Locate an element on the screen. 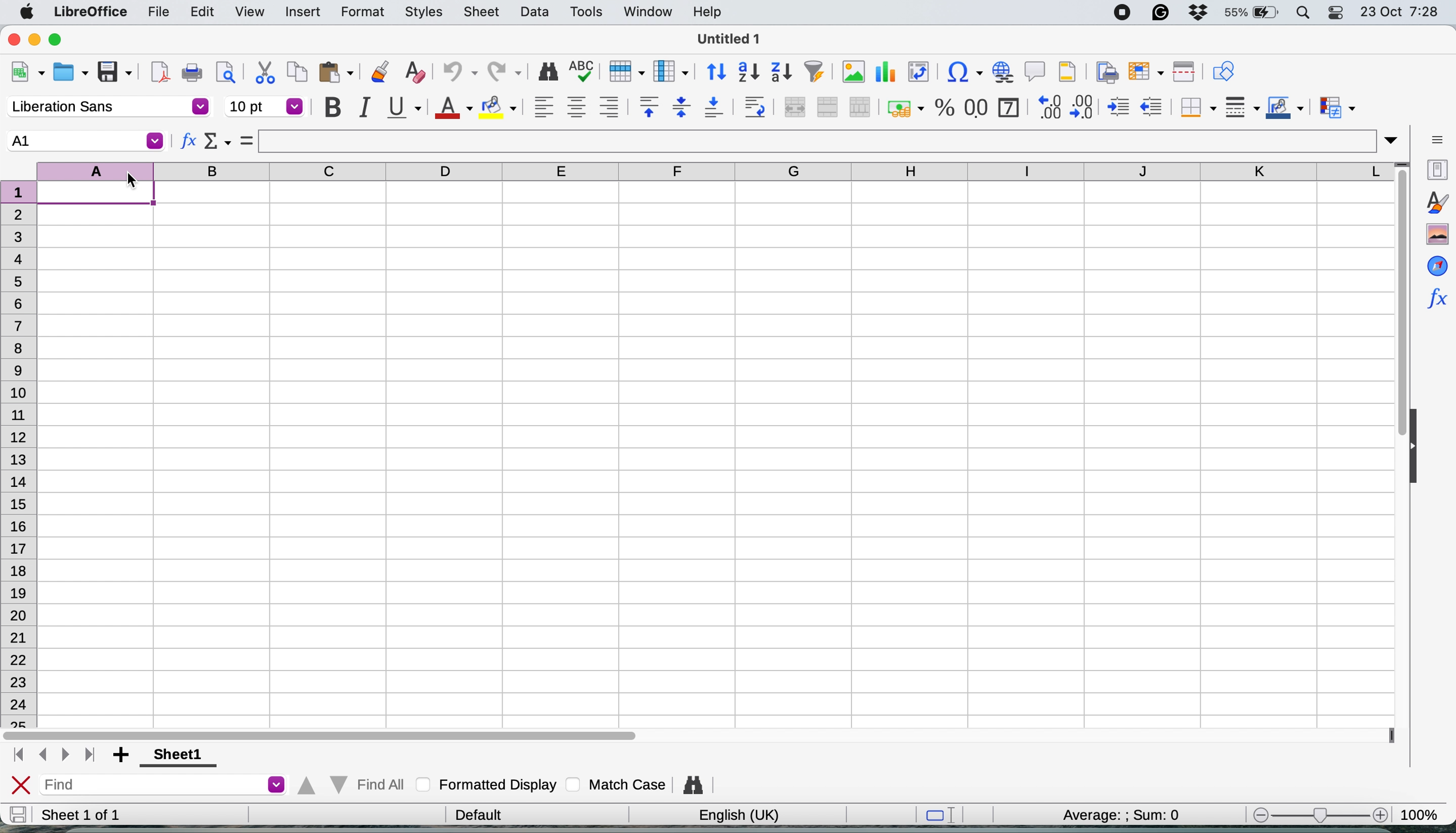 The width and height of the screenshot is (1456, 833). find and replace is located at coordinates (544, 71).